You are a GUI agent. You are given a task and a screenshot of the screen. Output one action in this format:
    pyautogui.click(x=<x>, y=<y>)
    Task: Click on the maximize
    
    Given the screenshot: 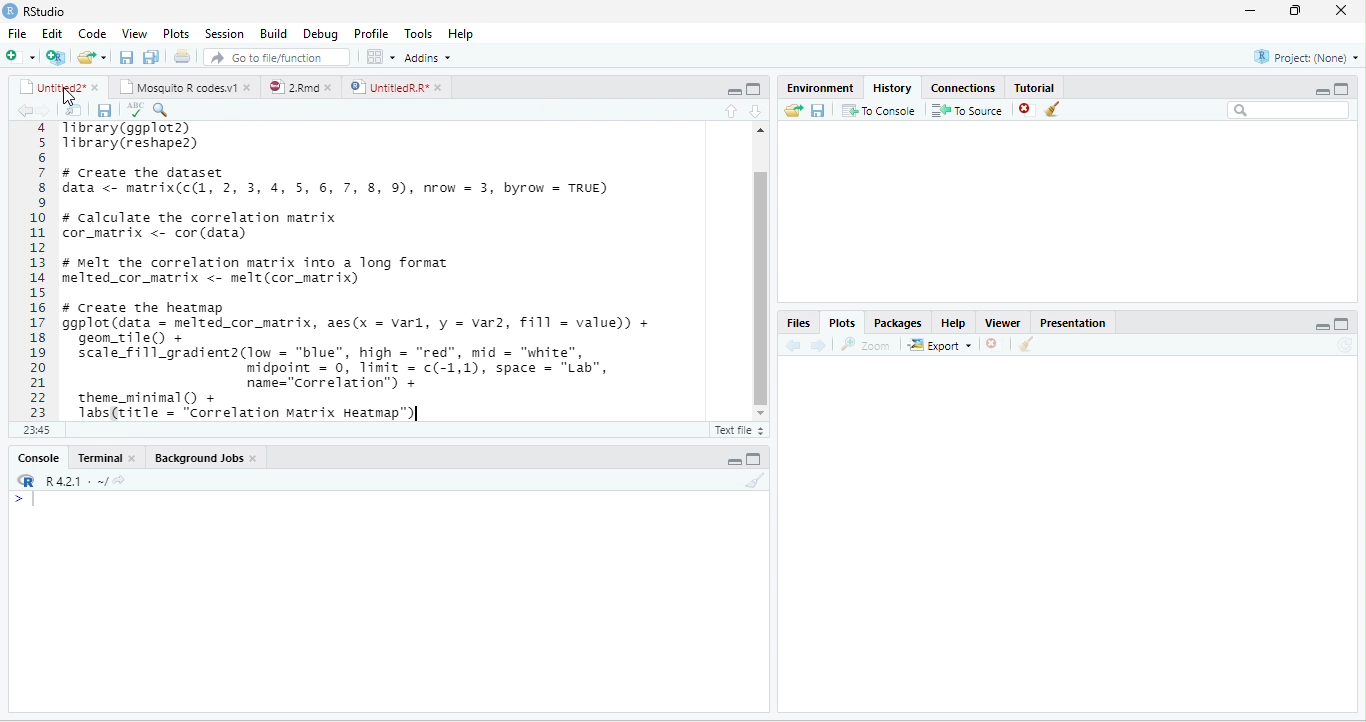 What is the action you would take?
    pyautogui.click(x=753, y=89)
    